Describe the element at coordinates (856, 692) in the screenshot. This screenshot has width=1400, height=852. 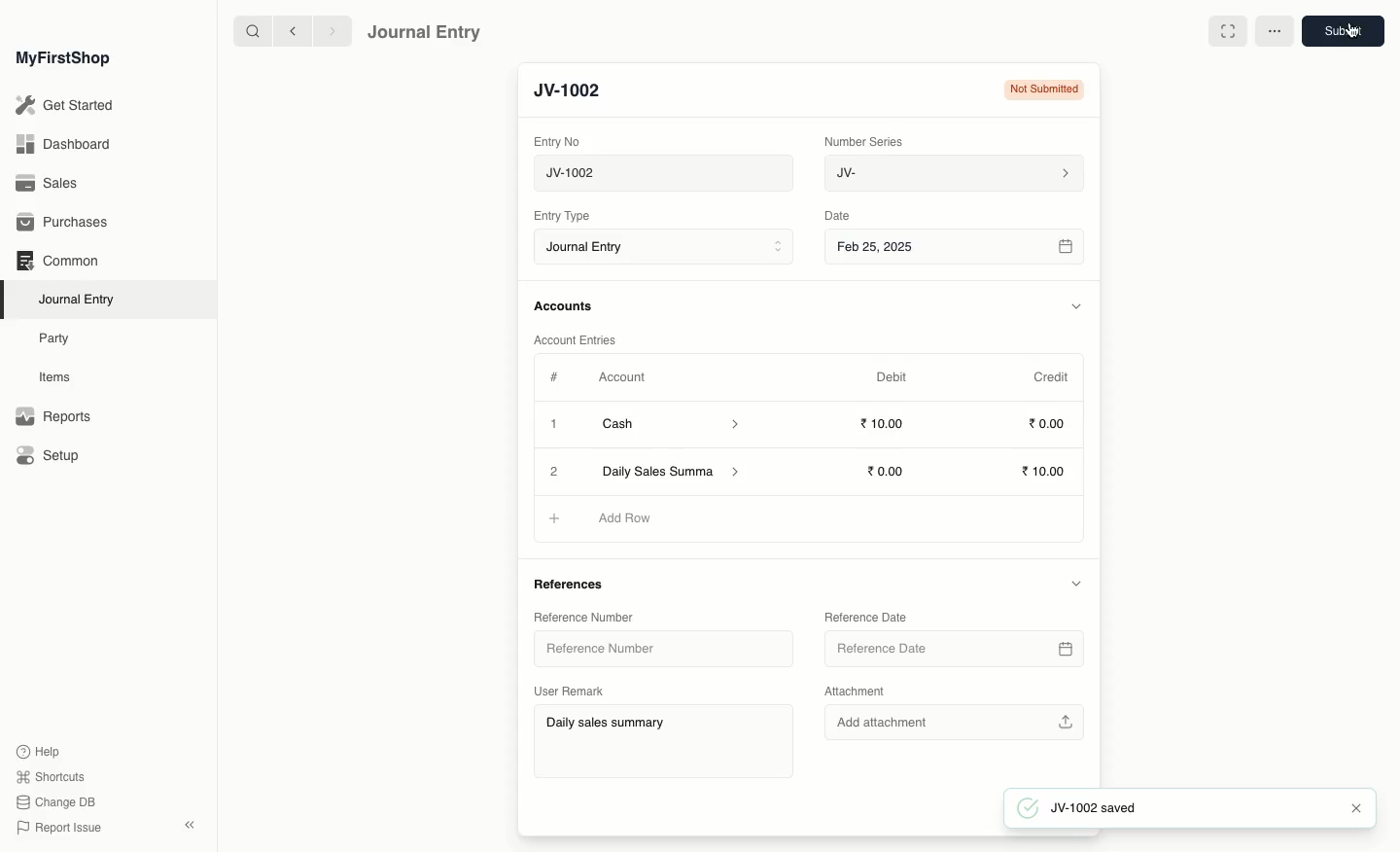
I see `Attachment` at that location.